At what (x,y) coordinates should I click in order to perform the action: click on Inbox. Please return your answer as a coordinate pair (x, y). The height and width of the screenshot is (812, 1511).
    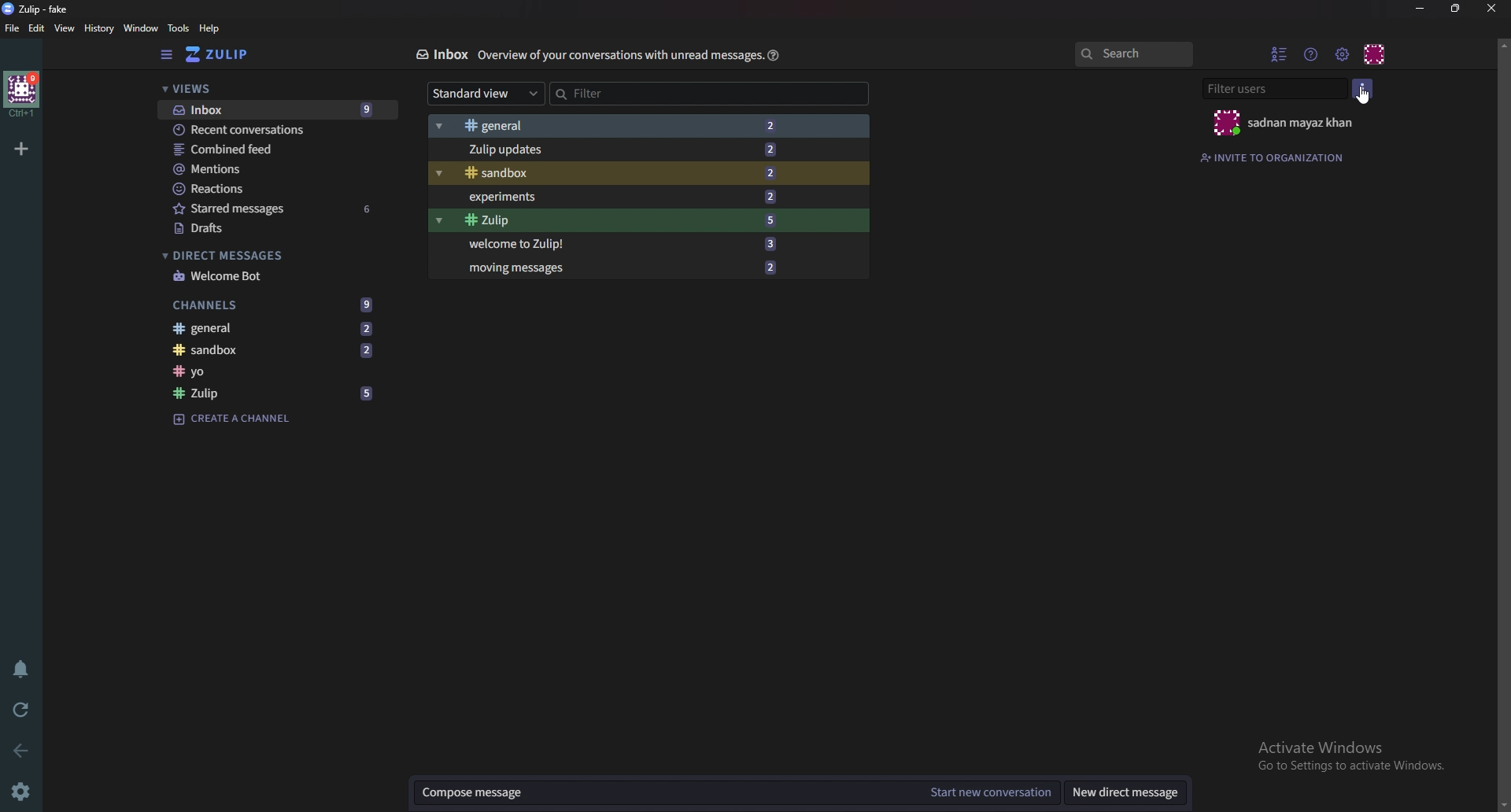
    Looking at the image, I should click on (275, 109).